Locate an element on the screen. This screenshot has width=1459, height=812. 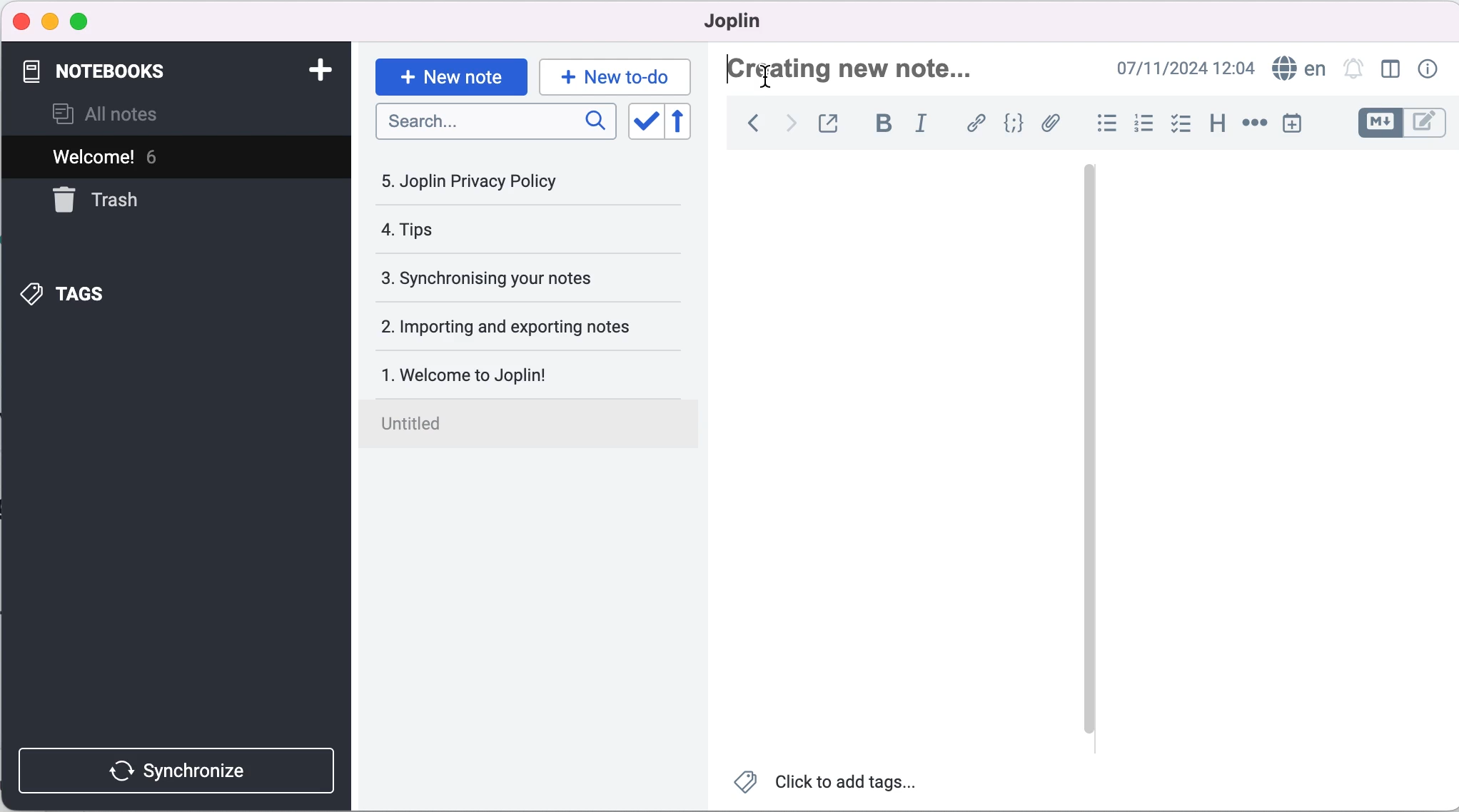
revert sort order is located at coordinates (685, 123).